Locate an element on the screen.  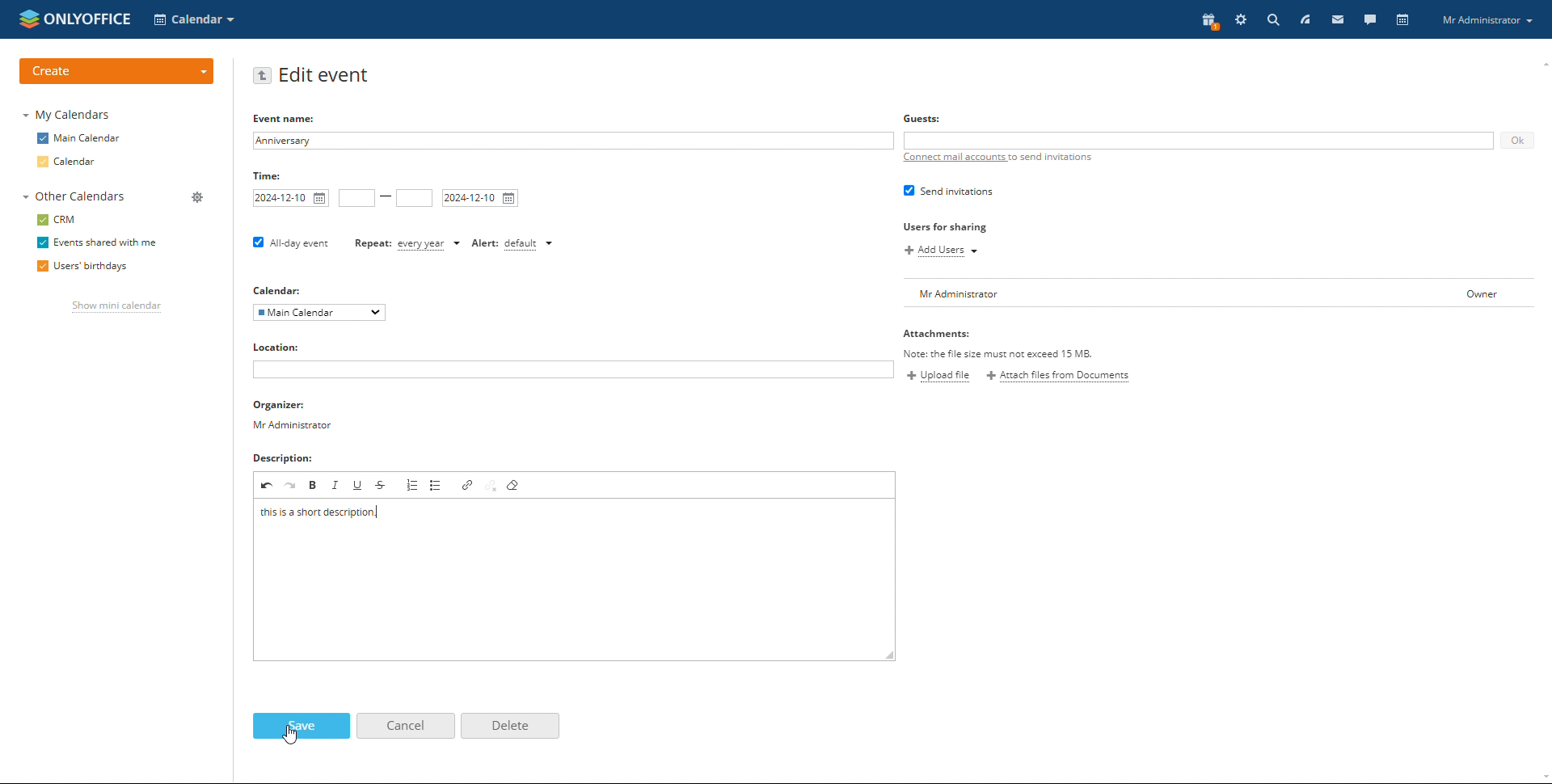
Note: the file size 1 is located at coordinates (1026, 354).